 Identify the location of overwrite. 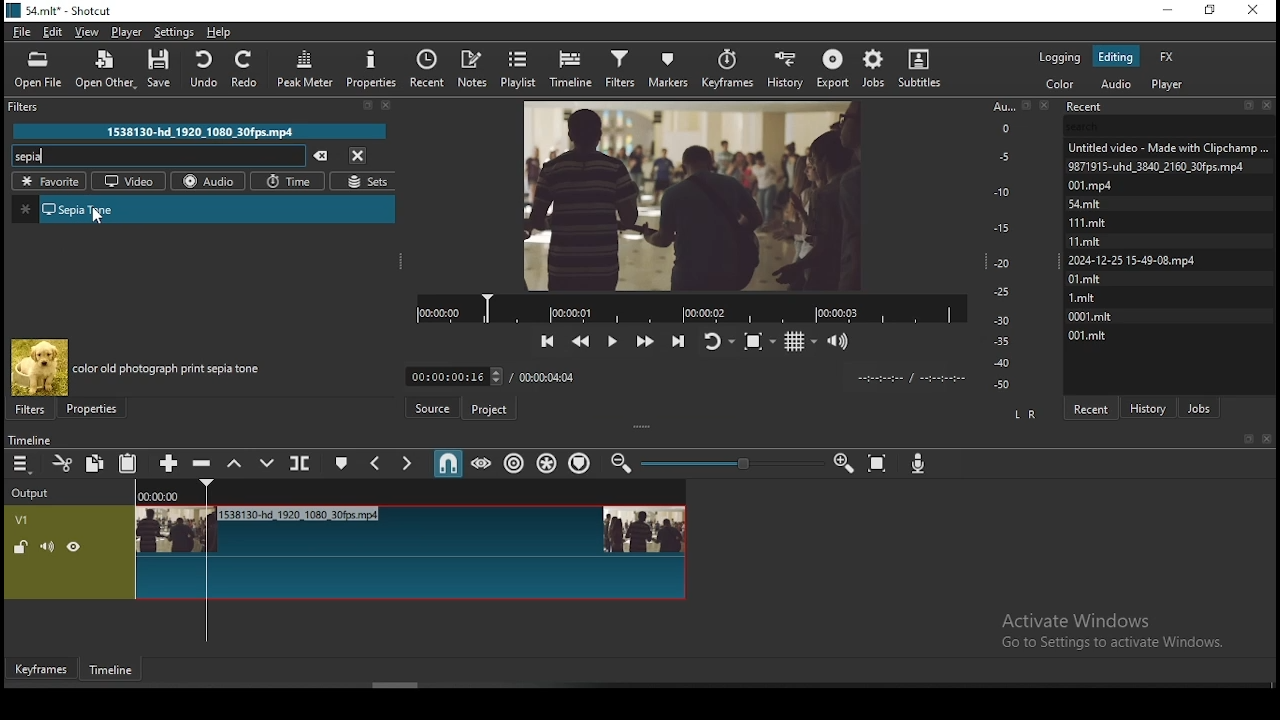
(271, 464).